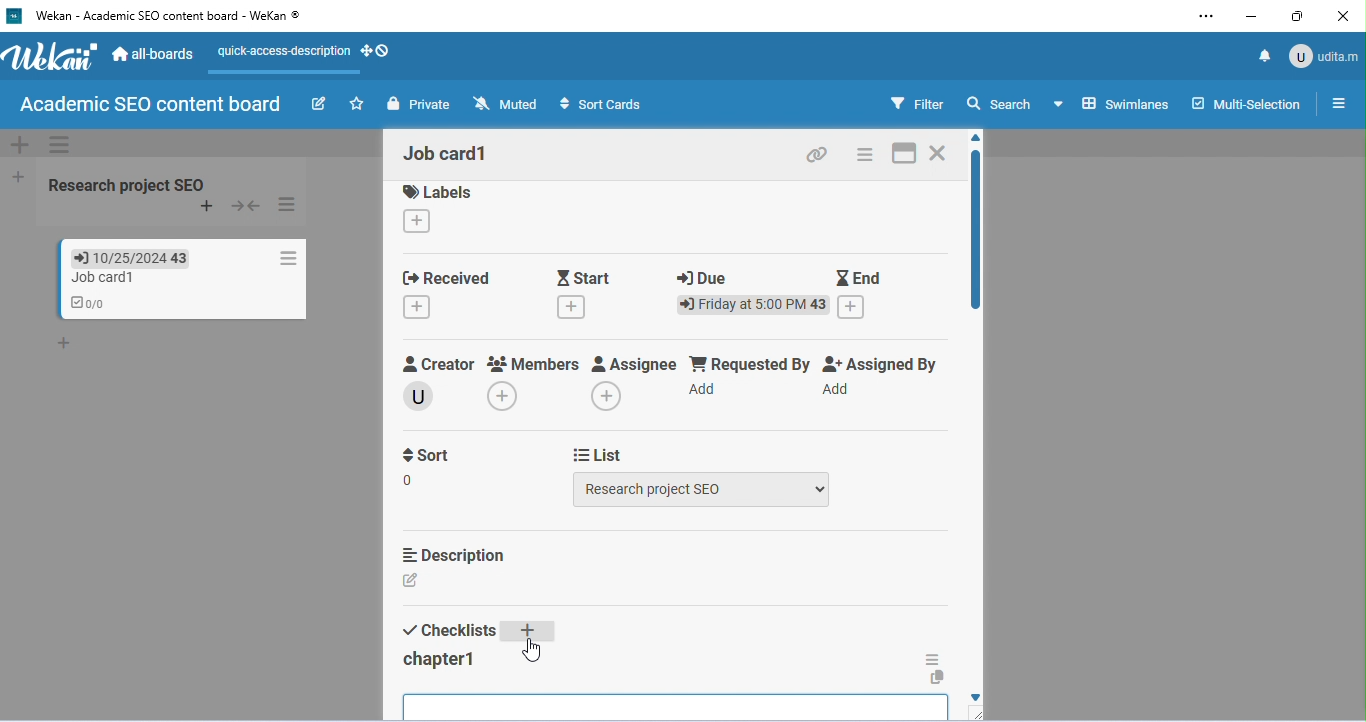 This screenshot has height=722, width=1366. What do you see at coordinates (1262, 55) in the screenshot?
I see `notification` at bounding box center [1262, 55].